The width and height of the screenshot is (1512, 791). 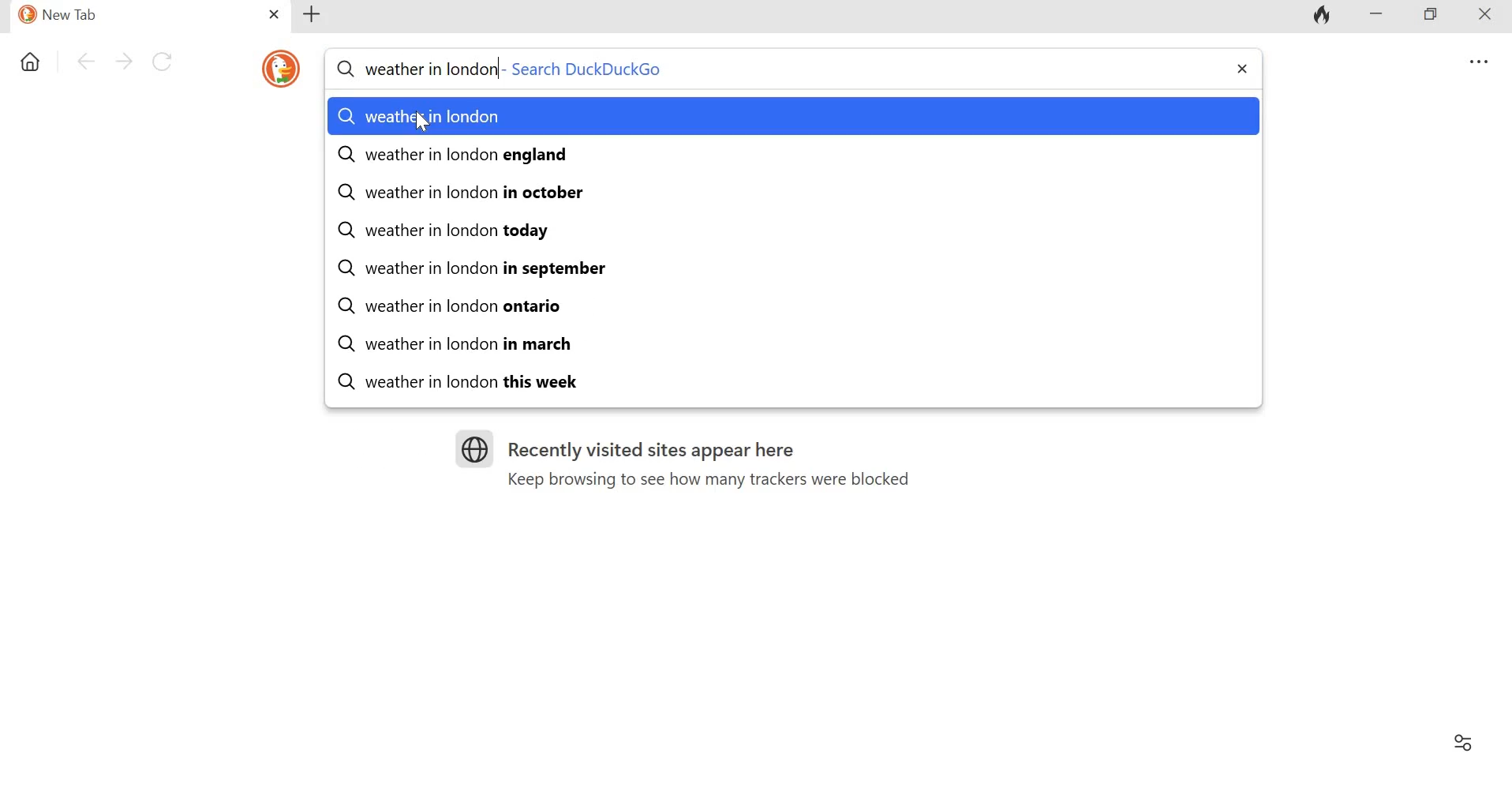 I want to click on Keep browsing to see how many trackers were blocked, so click(x=709, y=480).